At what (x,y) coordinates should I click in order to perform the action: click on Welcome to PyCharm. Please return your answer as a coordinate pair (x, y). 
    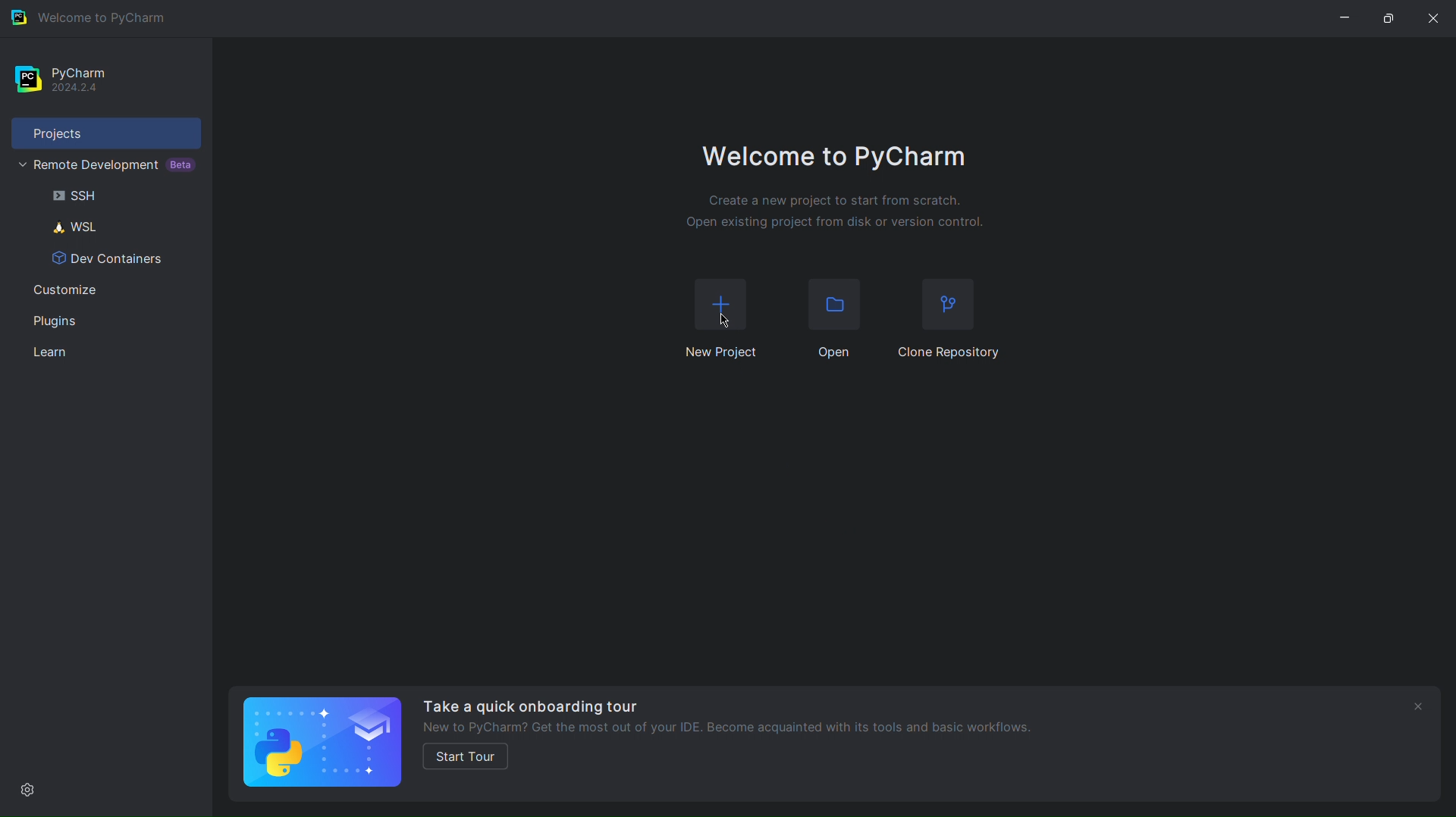
    Looking at the image, I should click on (829, 153).